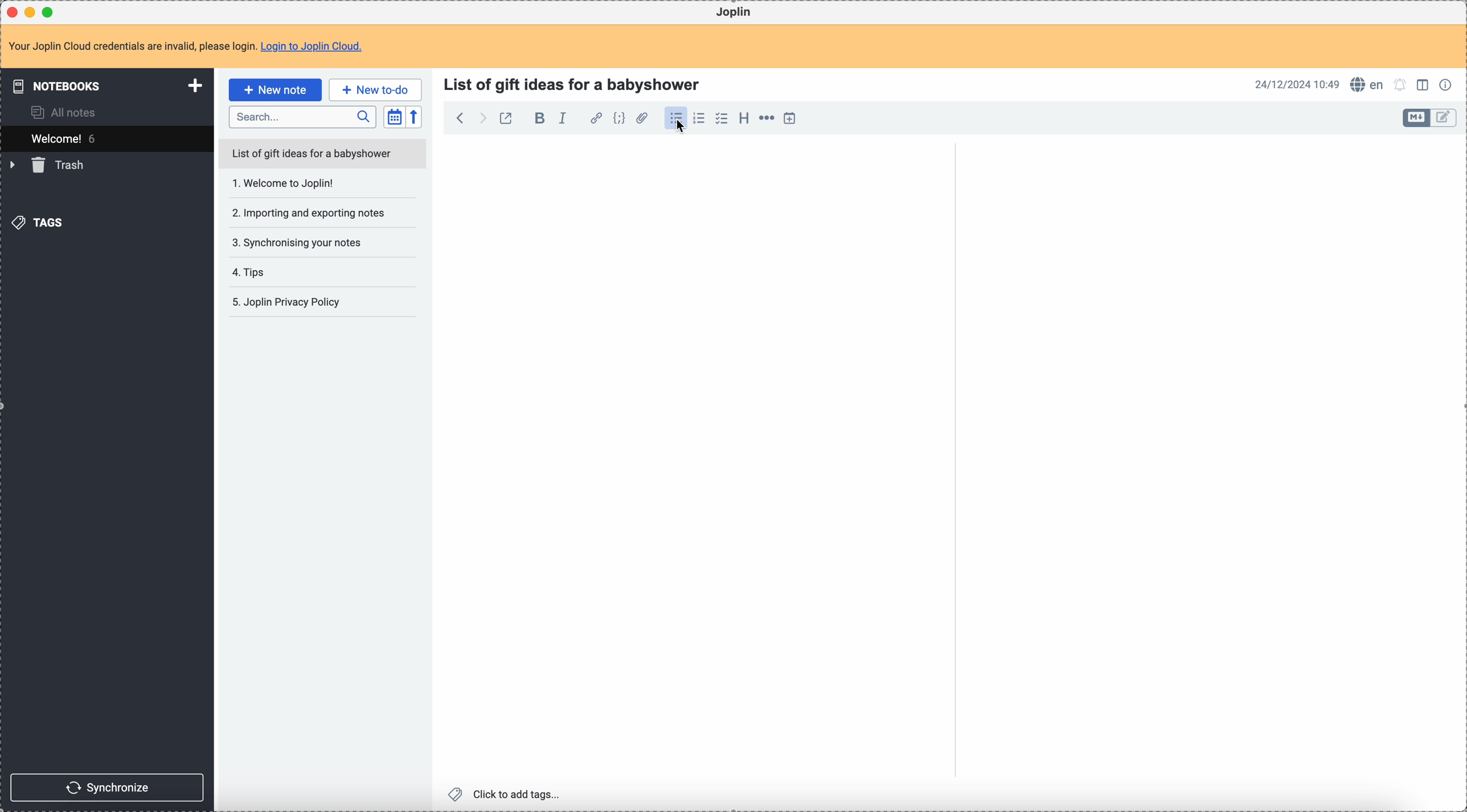  I want to click on checklist, so click(722, 119).